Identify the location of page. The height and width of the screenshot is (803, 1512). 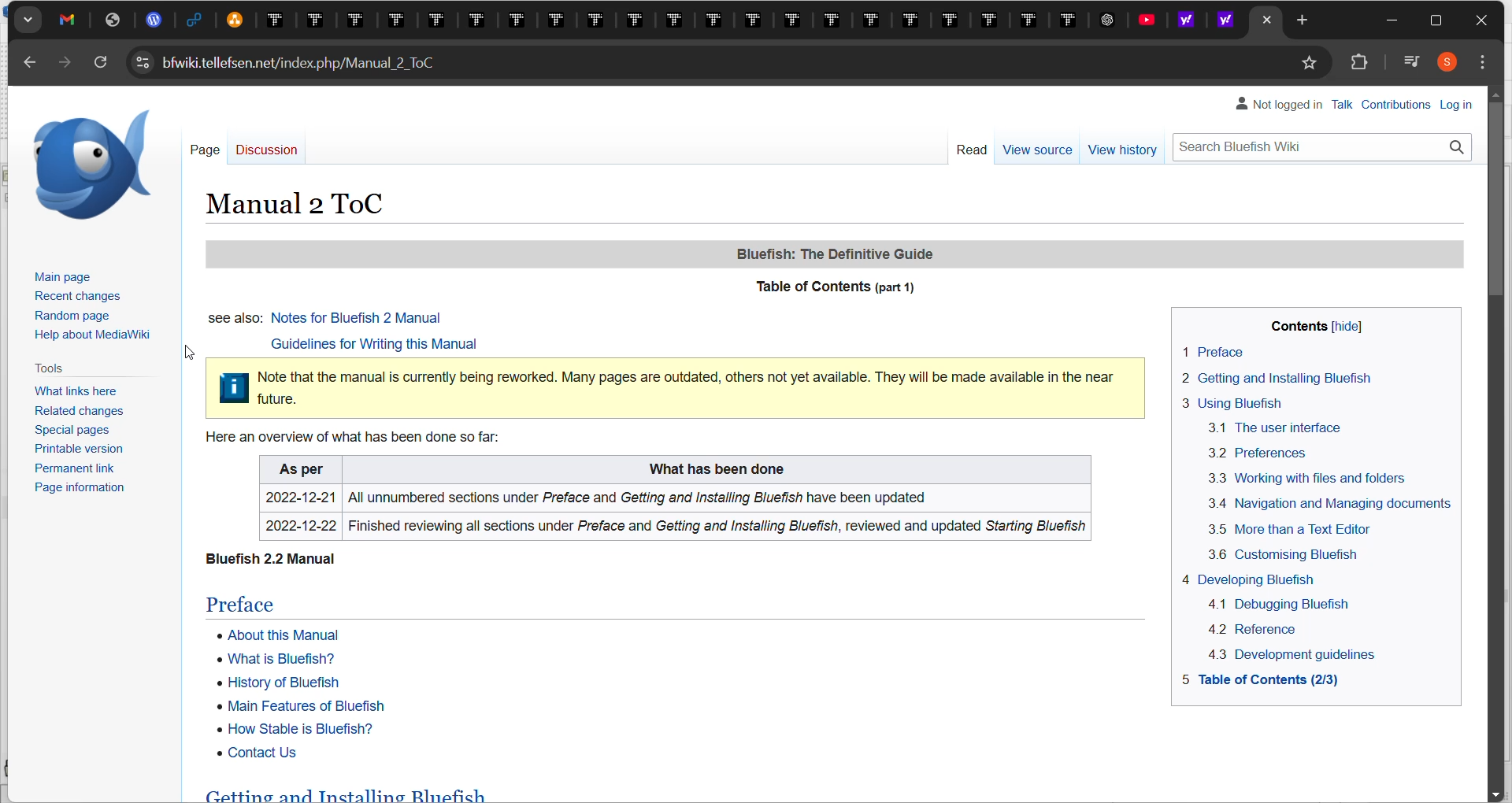
(201, 151).